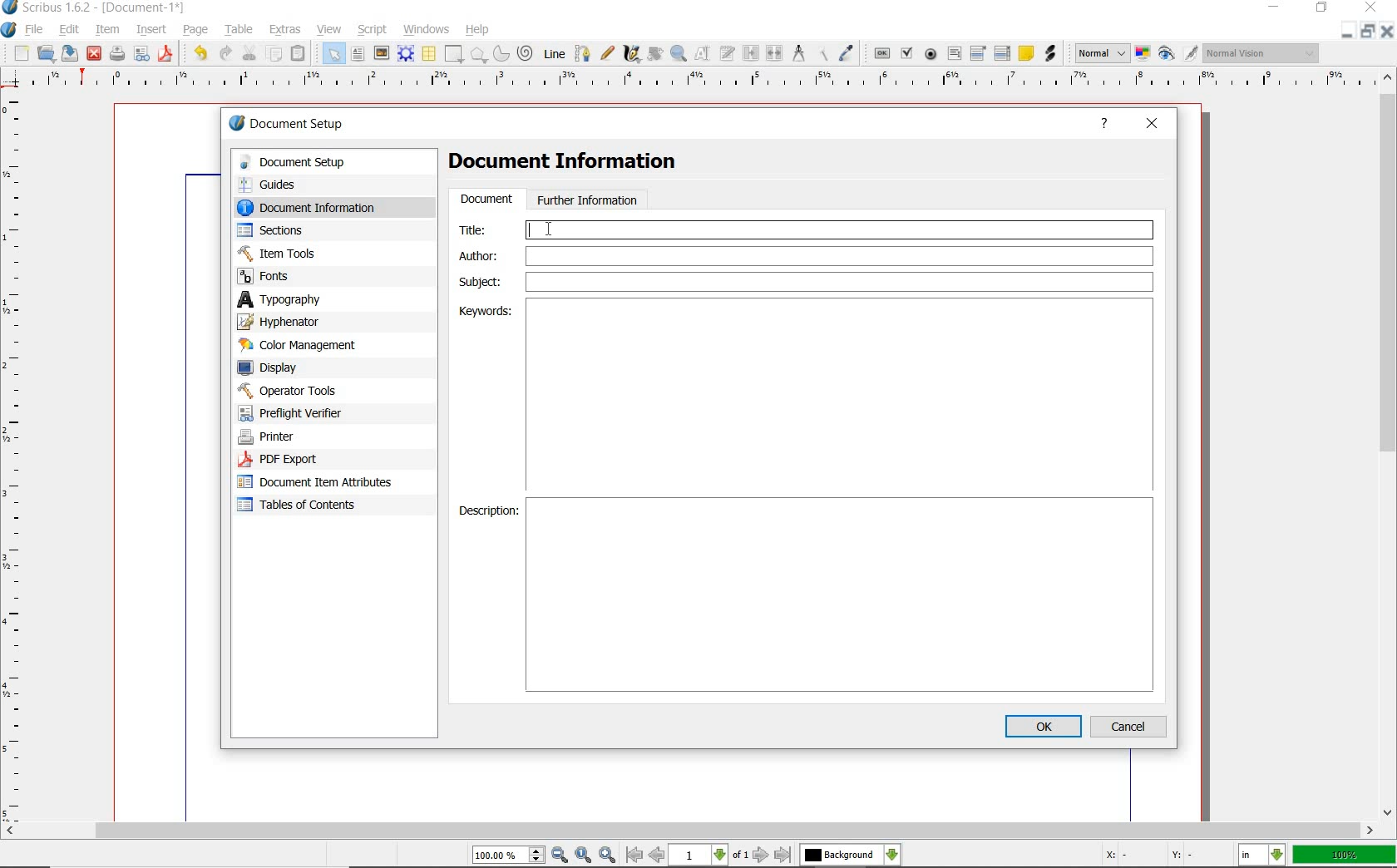  What do you see at coordinates (315, 277) in the screenshot?
I see `fonts` at bounding box center [315, 277].